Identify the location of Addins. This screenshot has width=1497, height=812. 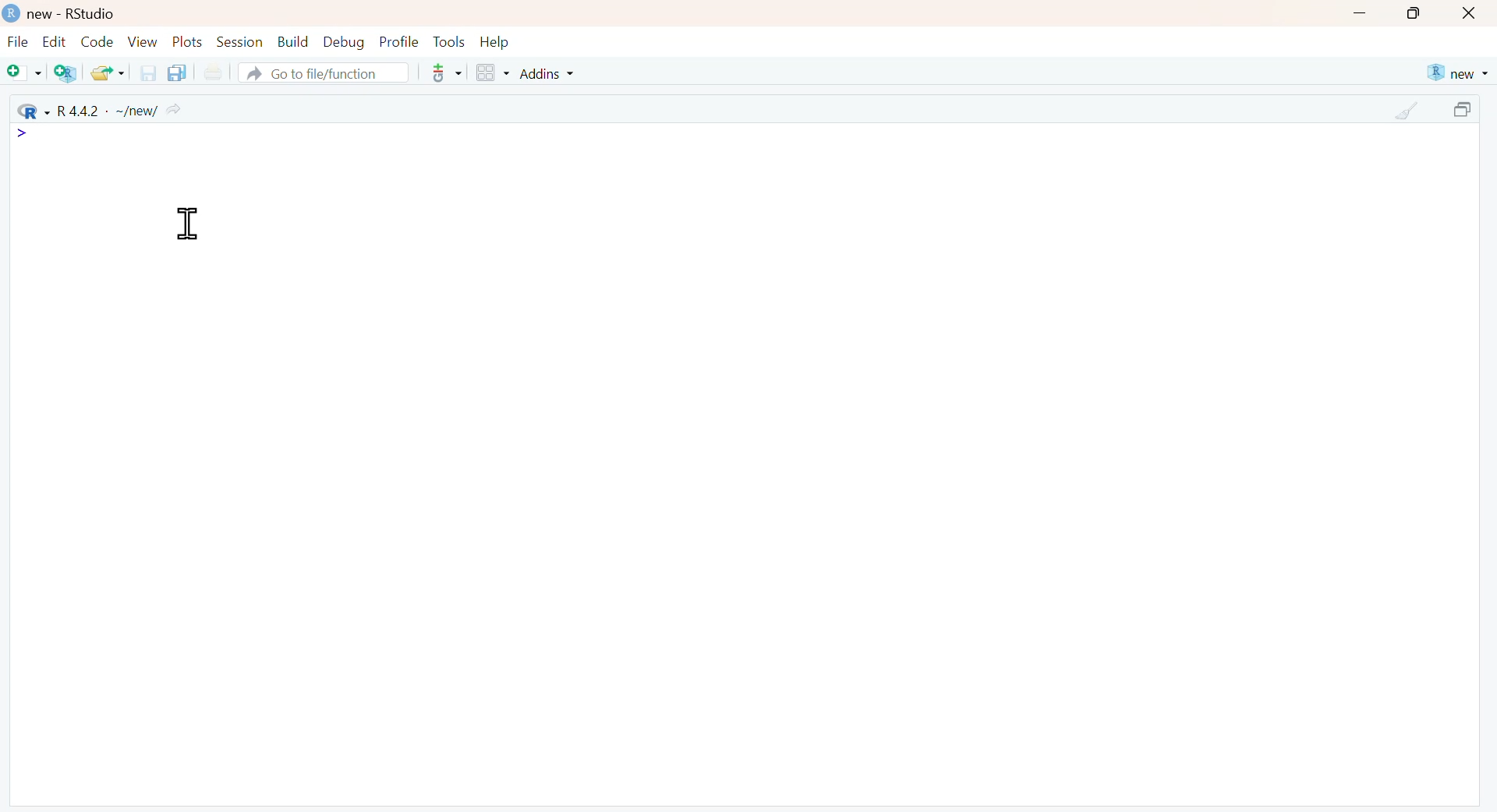
(548, 74).